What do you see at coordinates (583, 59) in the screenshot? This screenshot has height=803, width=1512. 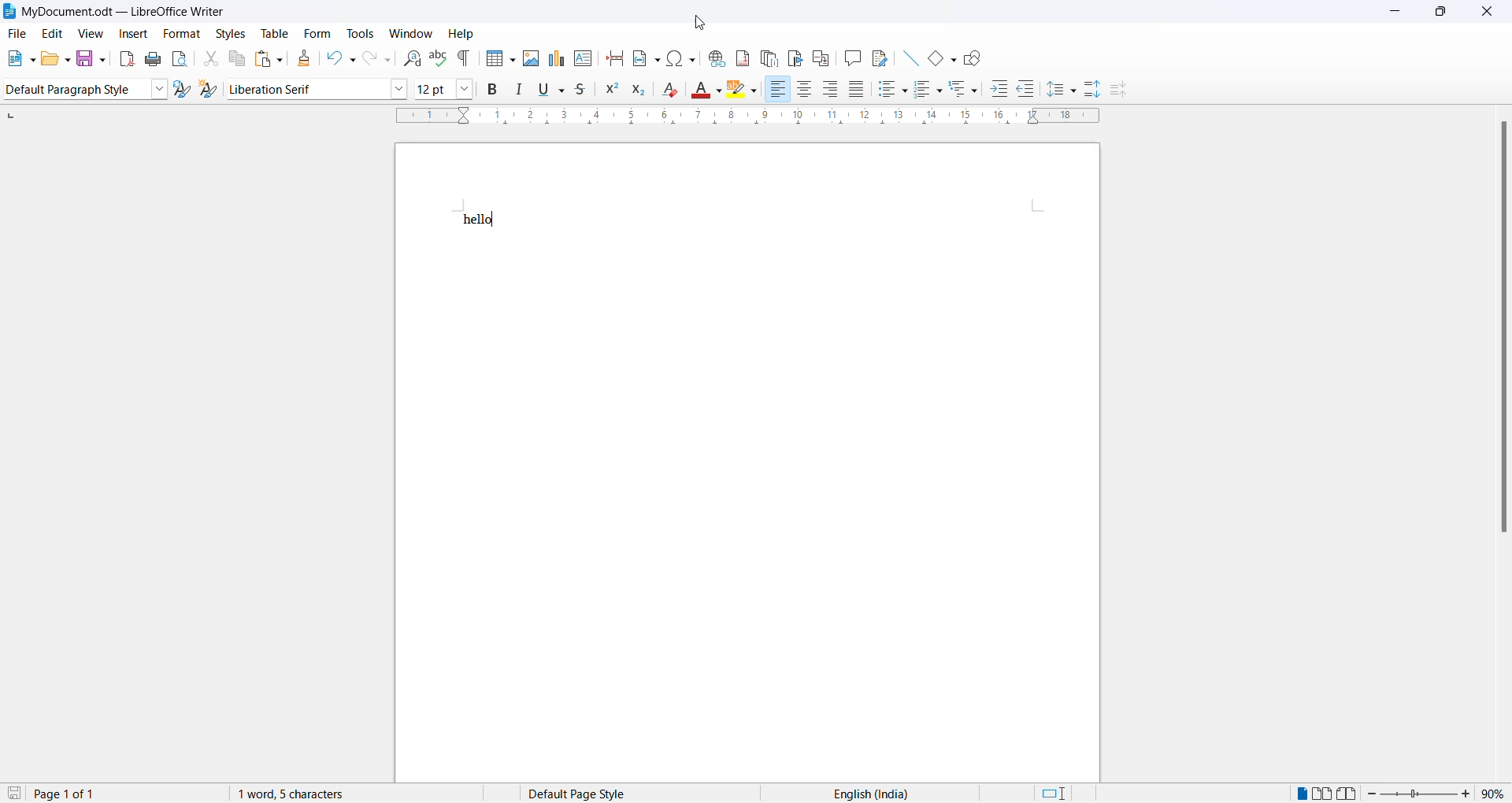 I see `Insert text` at bounding box center [583, 59].